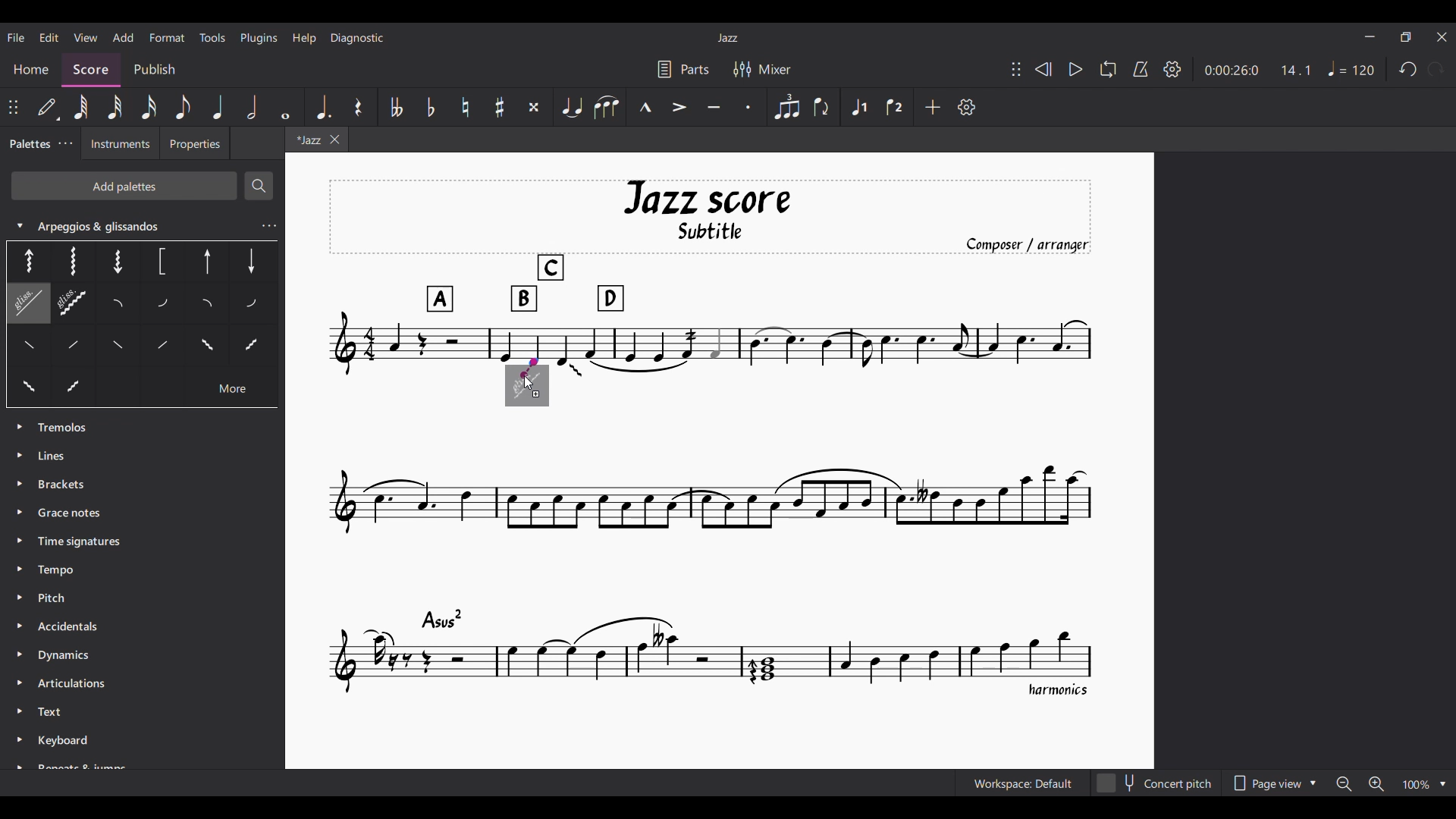 Image resolution: width=1456 pixels, height=819 pixels. I want to click on Slur, so click(606, 107).